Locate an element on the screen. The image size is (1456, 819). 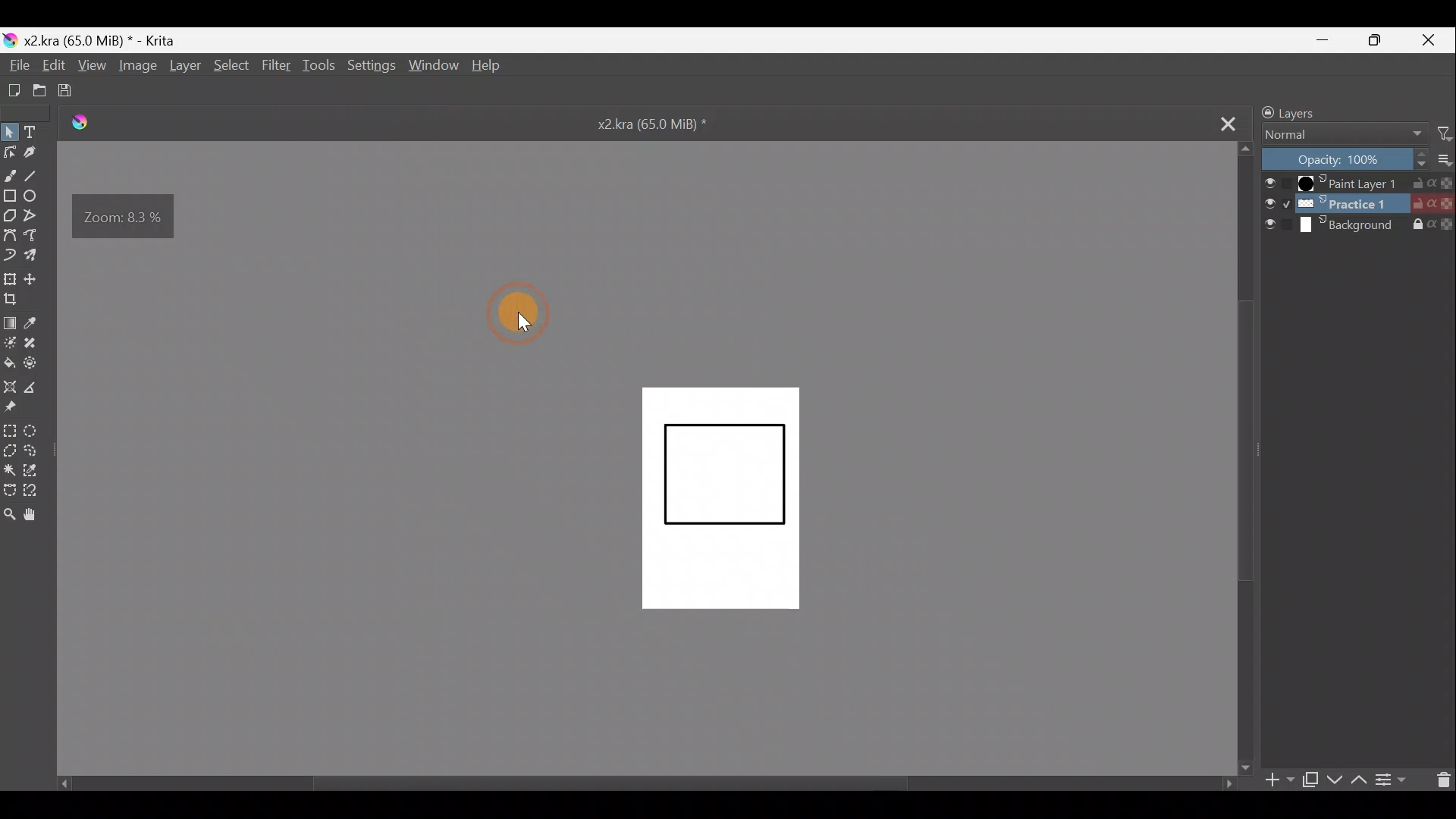
Filter is located at coordinates (1445, 133).